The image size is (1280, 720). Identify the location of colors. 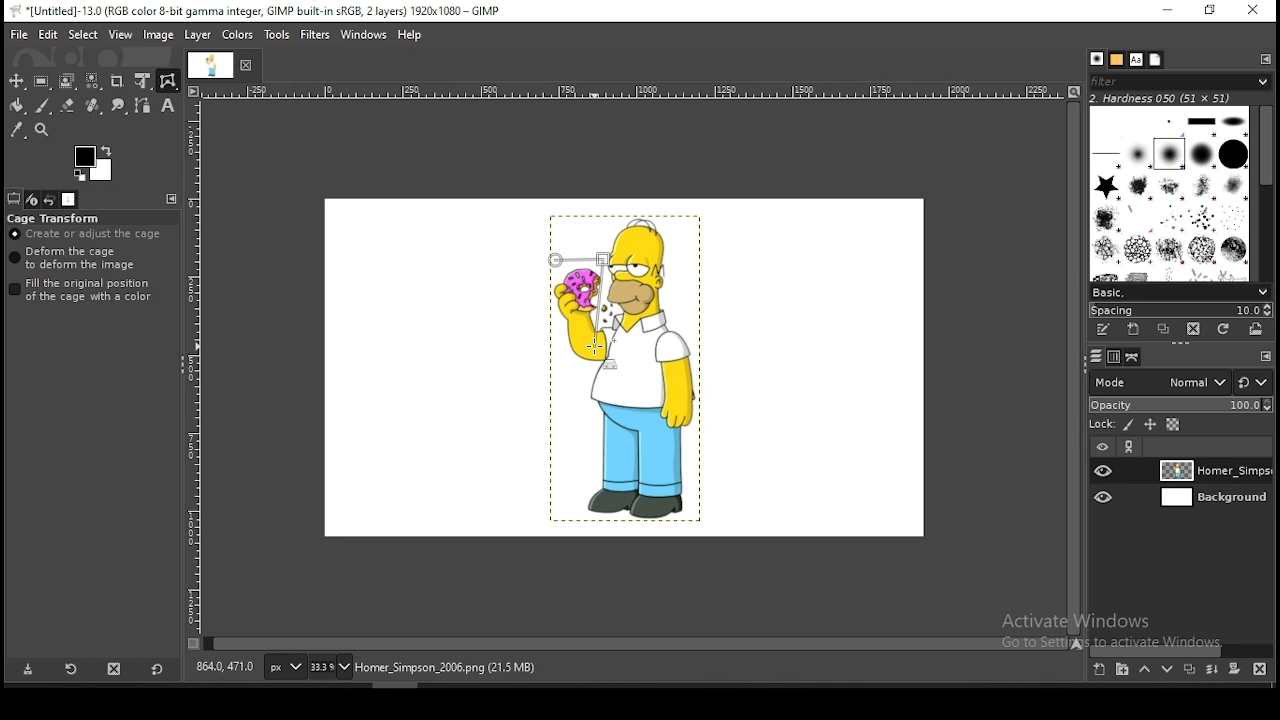
(237, 35).